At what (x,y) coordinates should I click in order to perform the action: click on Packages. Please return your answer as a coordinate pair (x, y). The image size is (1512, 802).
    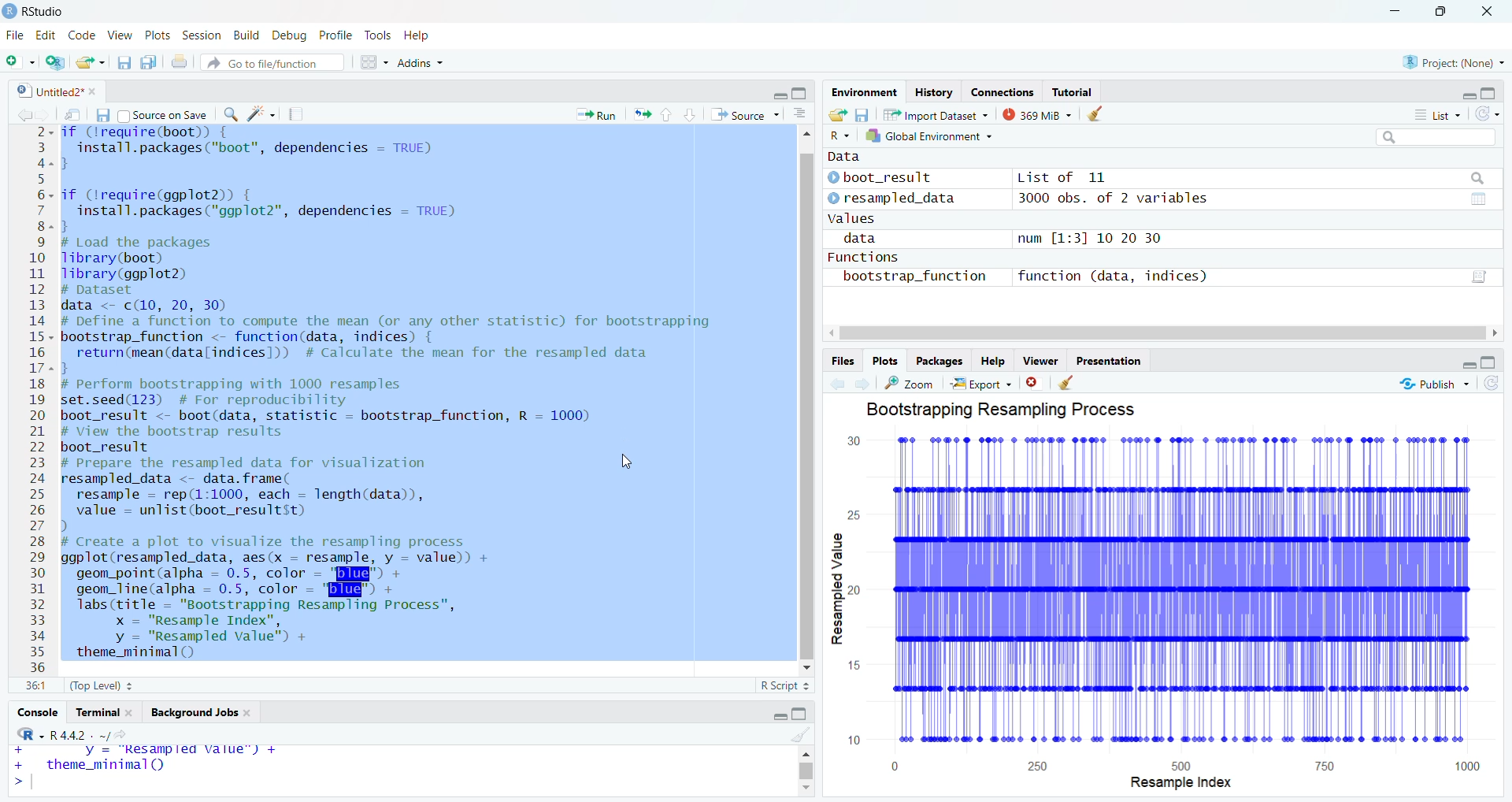
    Looking at the image, I should click on (939, 360).